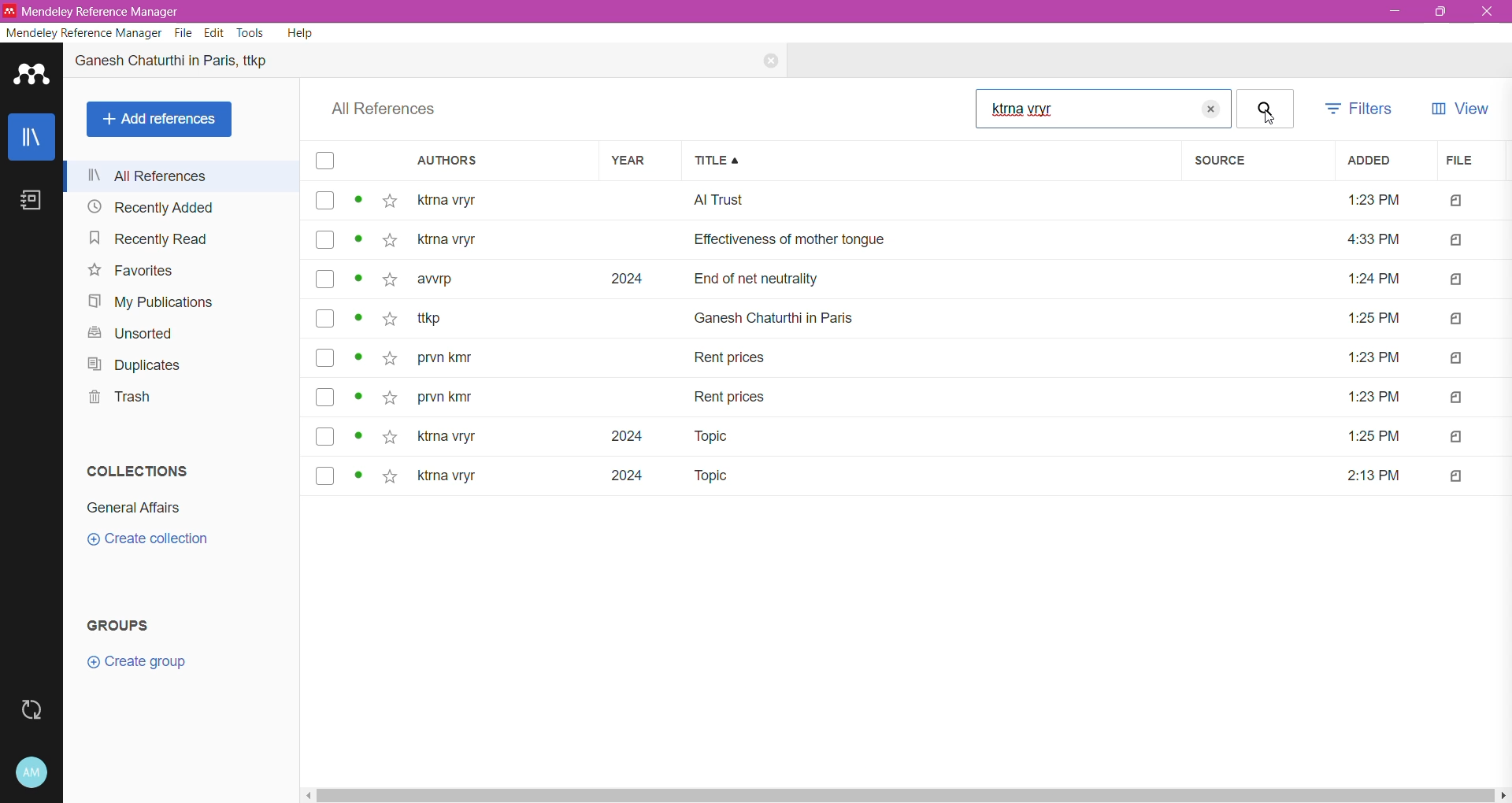 This screenshot has width=1512, height=803. Describe the element at coordinates (1486, 11) in the screenshot. I see `Close` at that location.